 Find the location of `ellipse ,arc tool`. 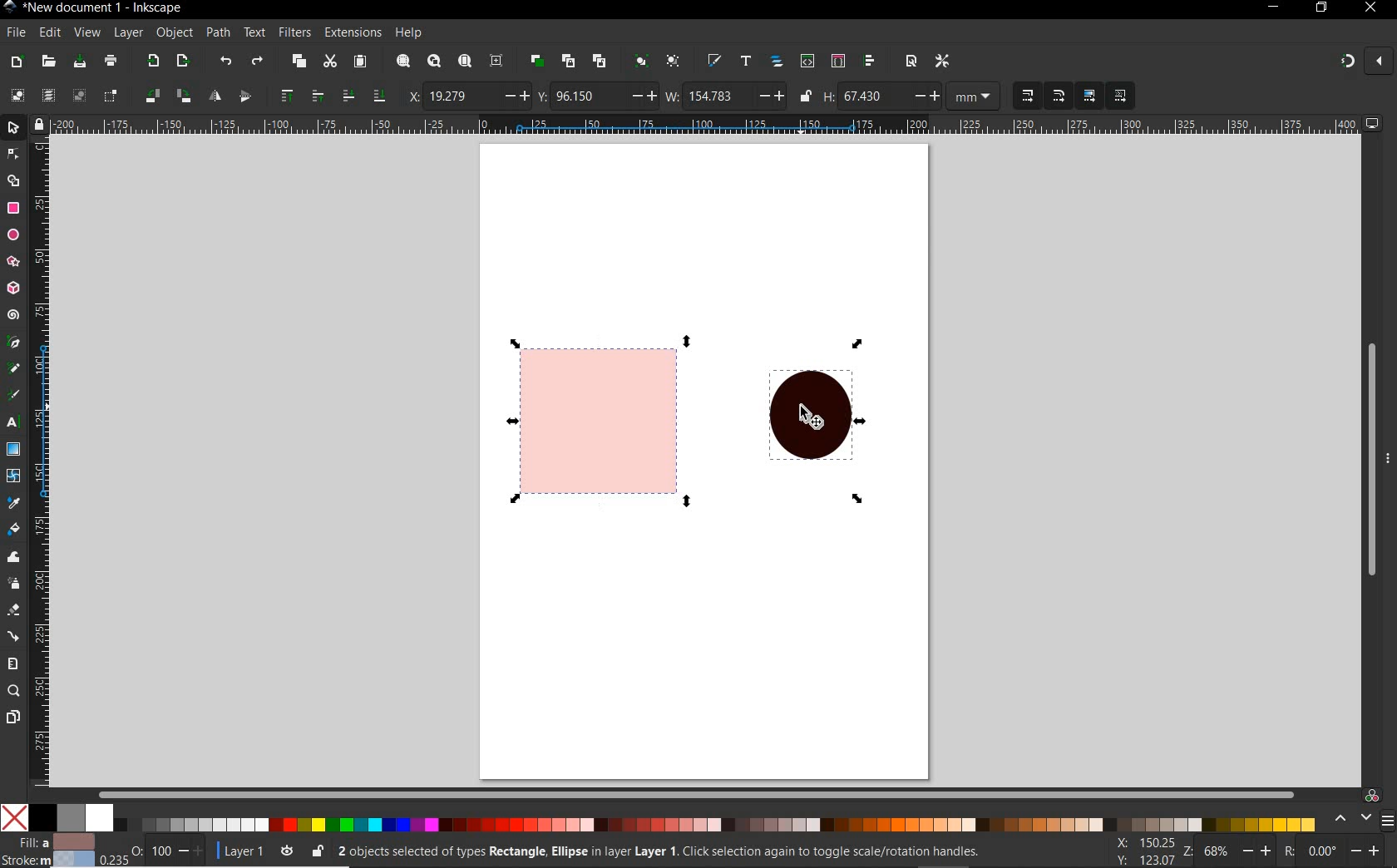

ellipse ,arc tool is located at coordinates (12, 234).